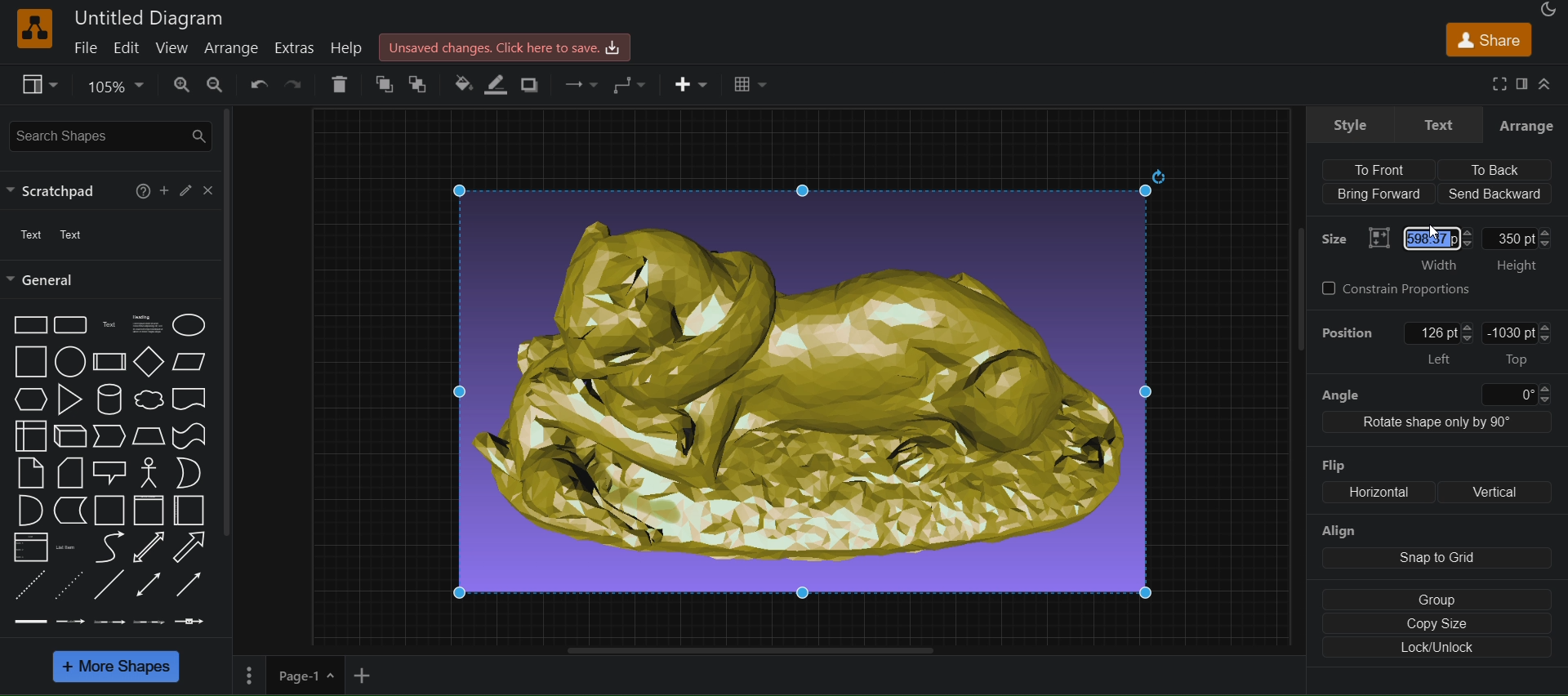 Image resolution: width=1568 pixels, height=696 pixels. Describe the element at coordinates (1520, 267) in the screenshot. I see `Height` at that location.